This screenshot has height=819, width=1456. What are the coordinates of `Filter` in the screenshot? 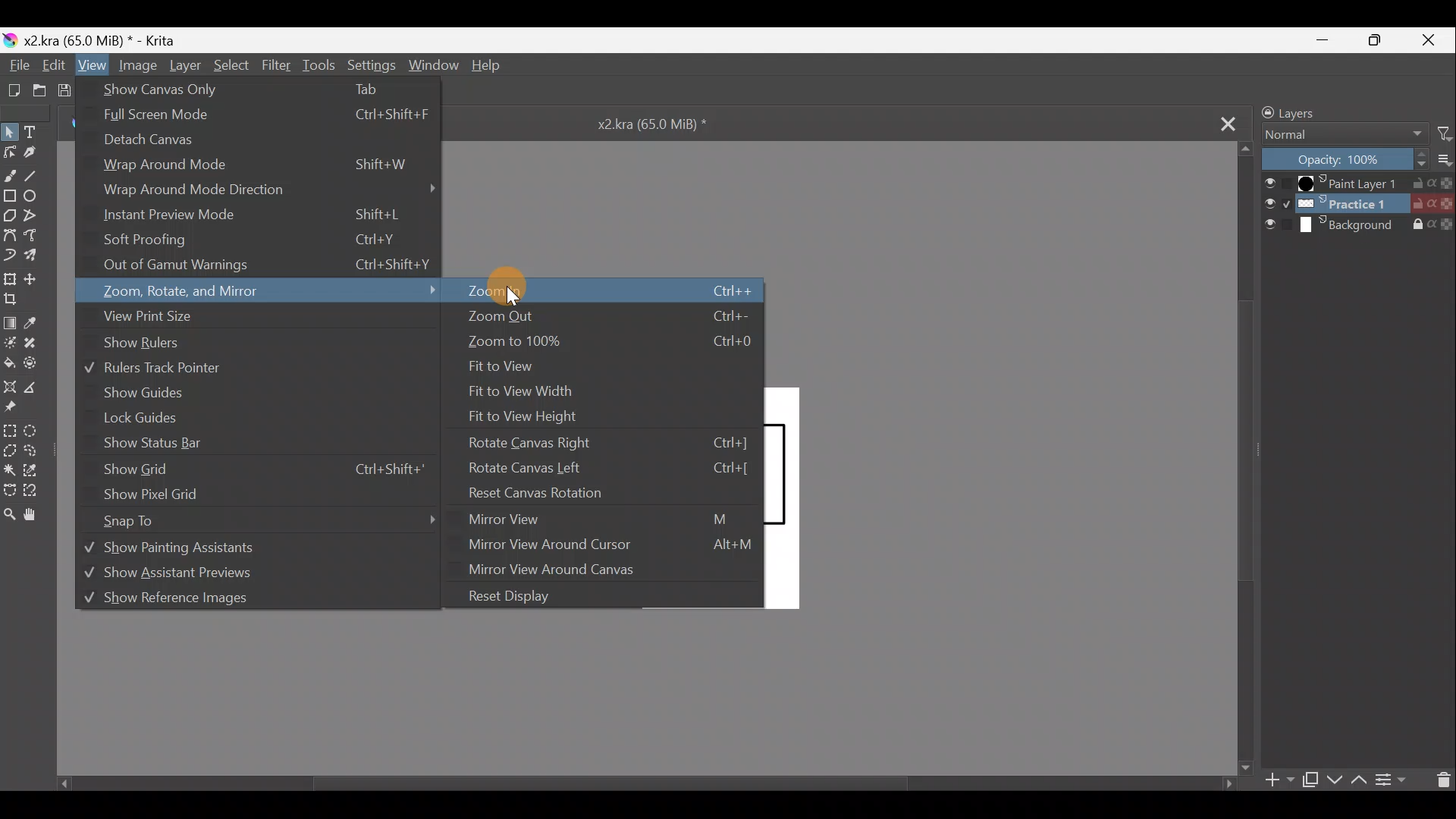 It's located at (1447, 132).